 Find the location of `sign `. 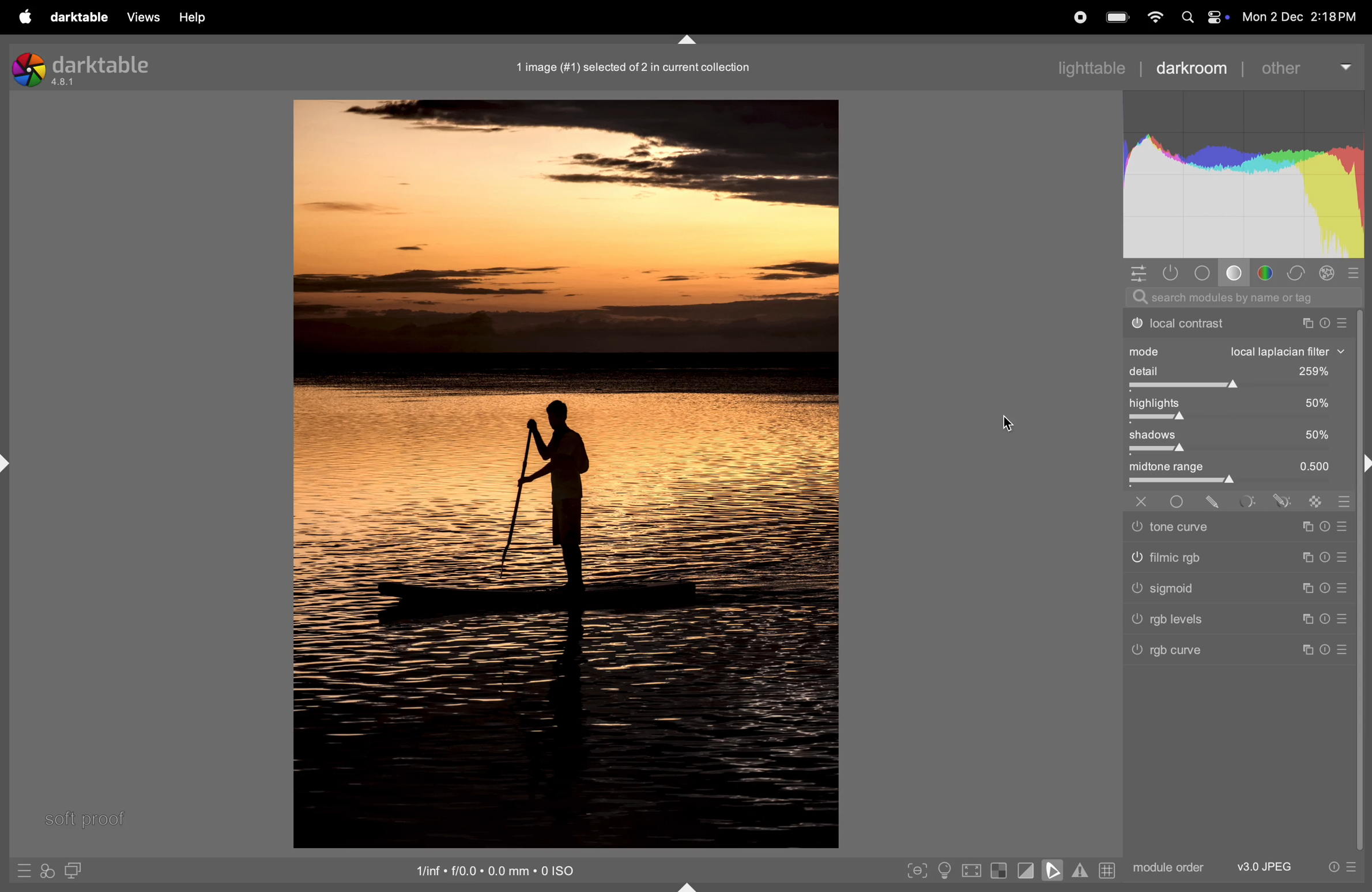

sign  is located at coordinates (1306, 649).